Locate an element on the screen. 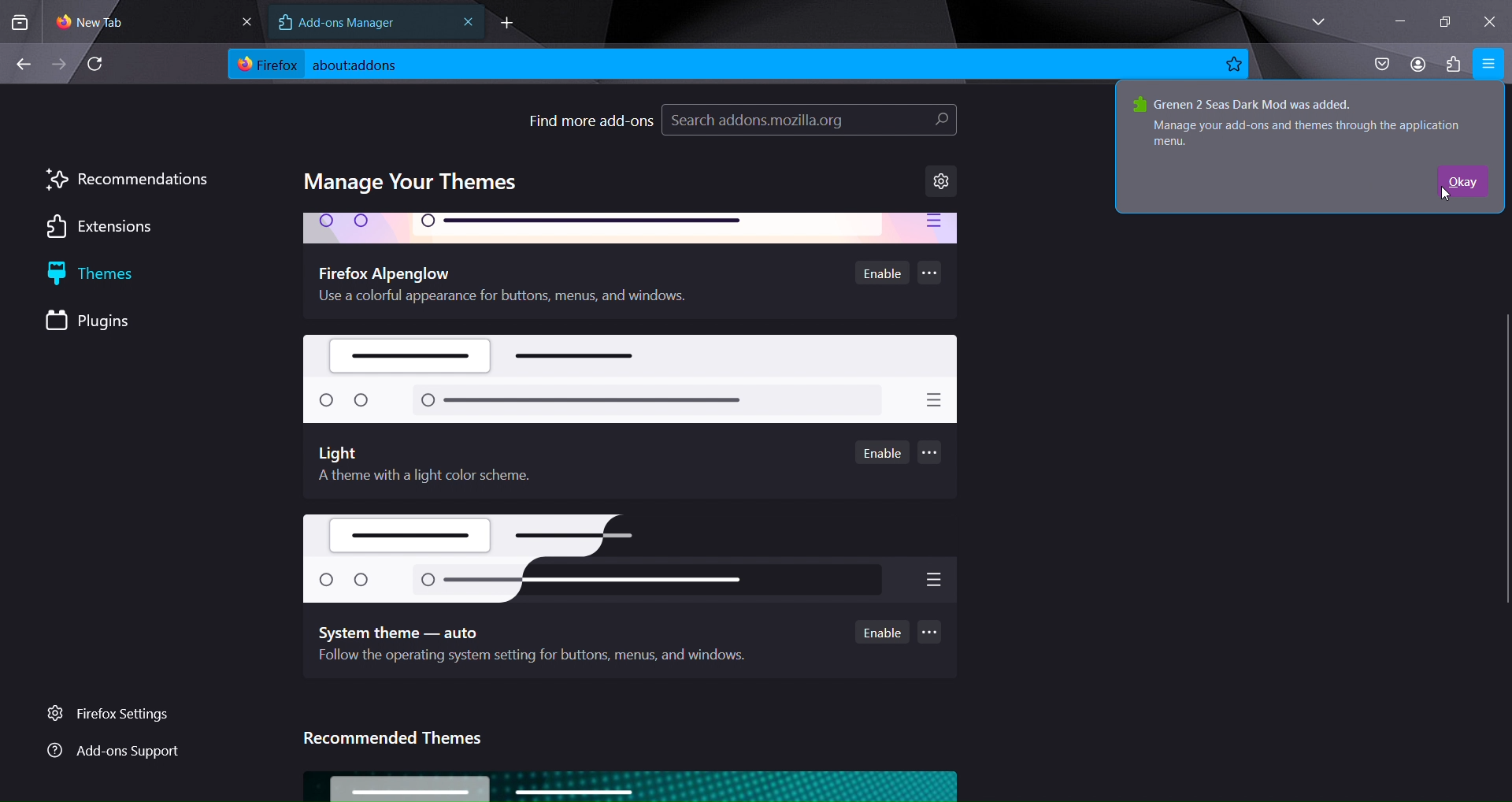 This screenshot has width=1512, height=802. recommended themes is located at coordinates (395, 740).